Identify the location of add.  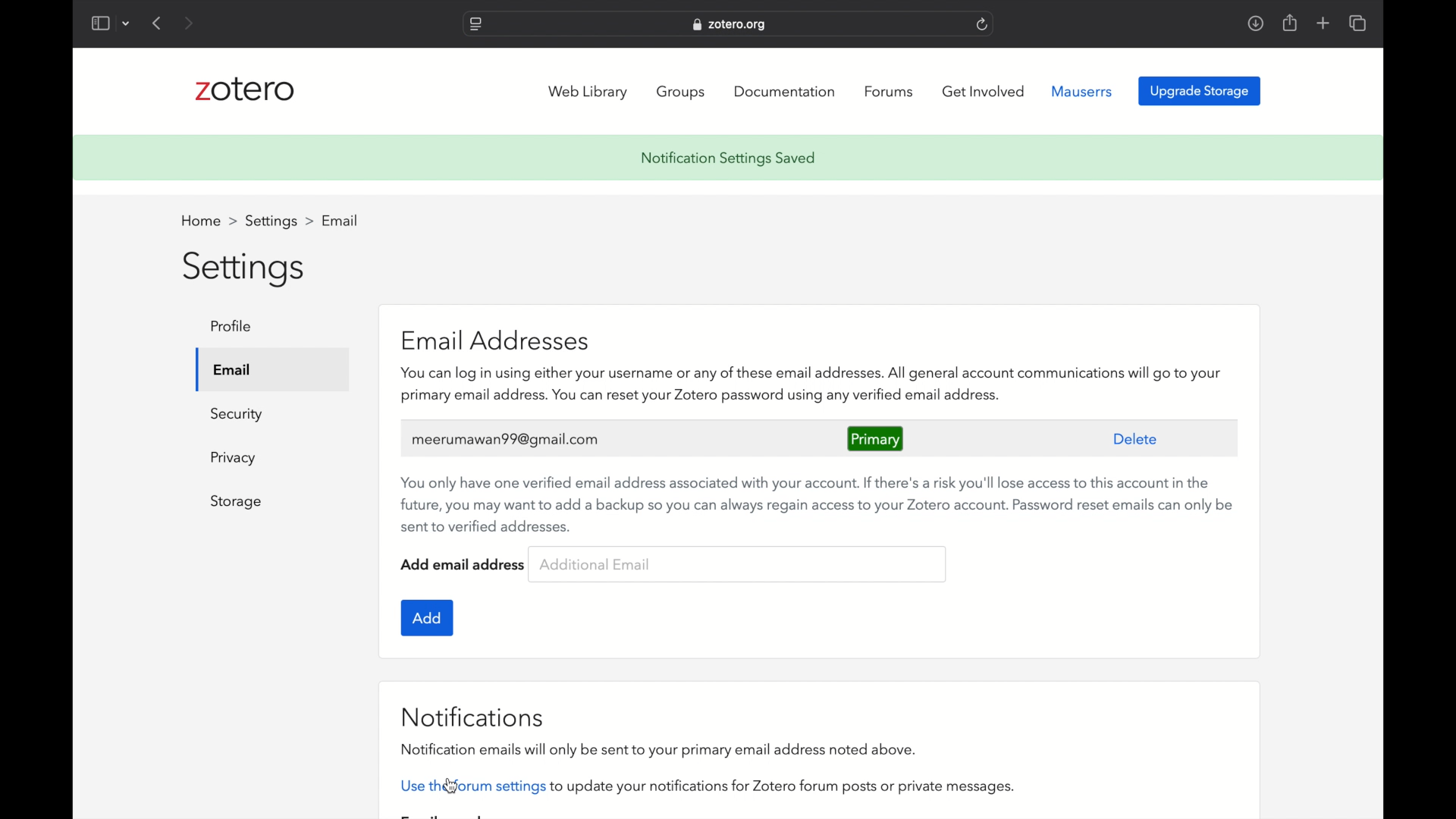
(425, 618).